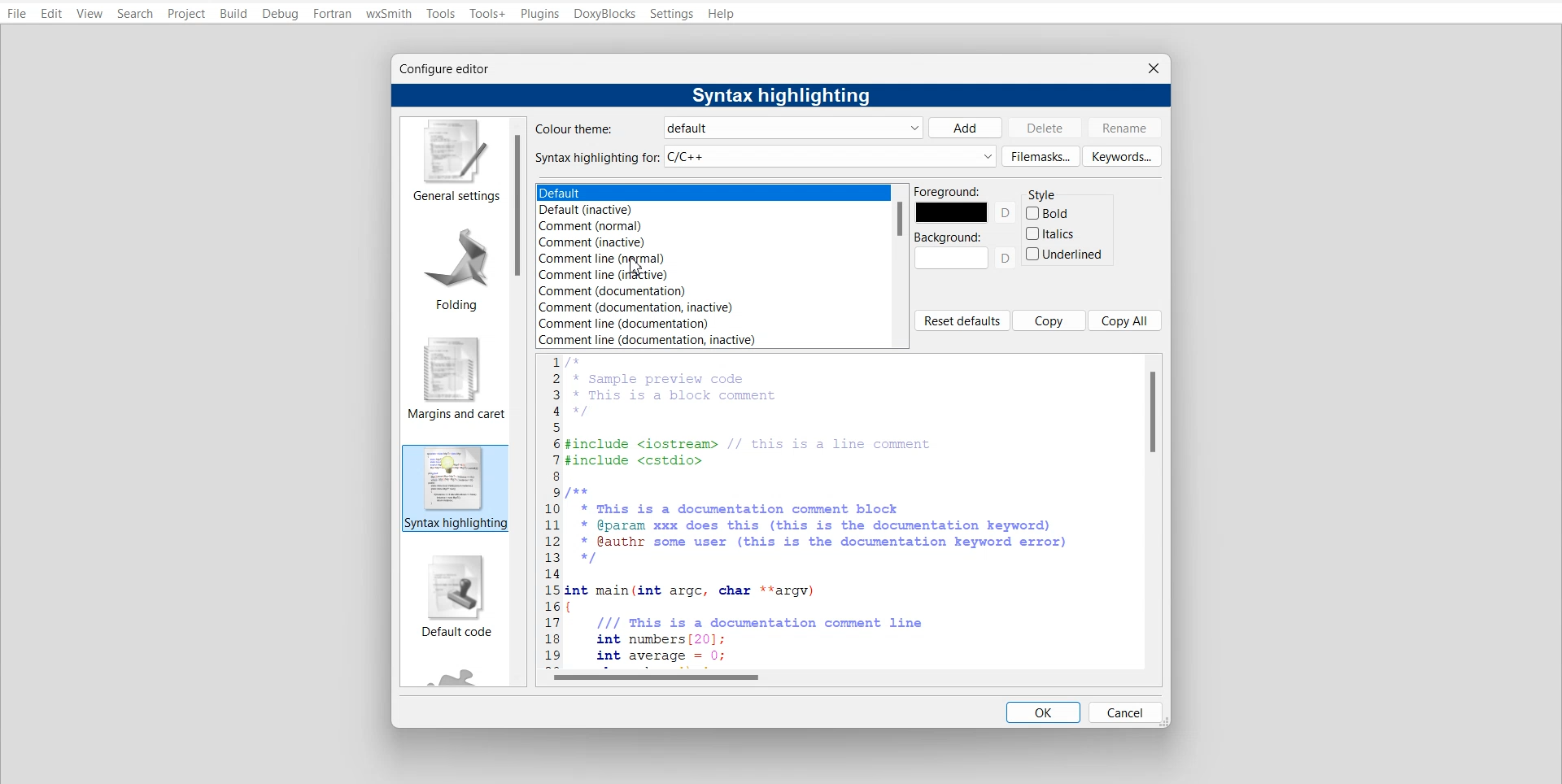 The image size is (1562, 784). What do you see at coordinates (1049, 320) in the screenshot?
I see `Copy` at bounding box center [1049, 320].